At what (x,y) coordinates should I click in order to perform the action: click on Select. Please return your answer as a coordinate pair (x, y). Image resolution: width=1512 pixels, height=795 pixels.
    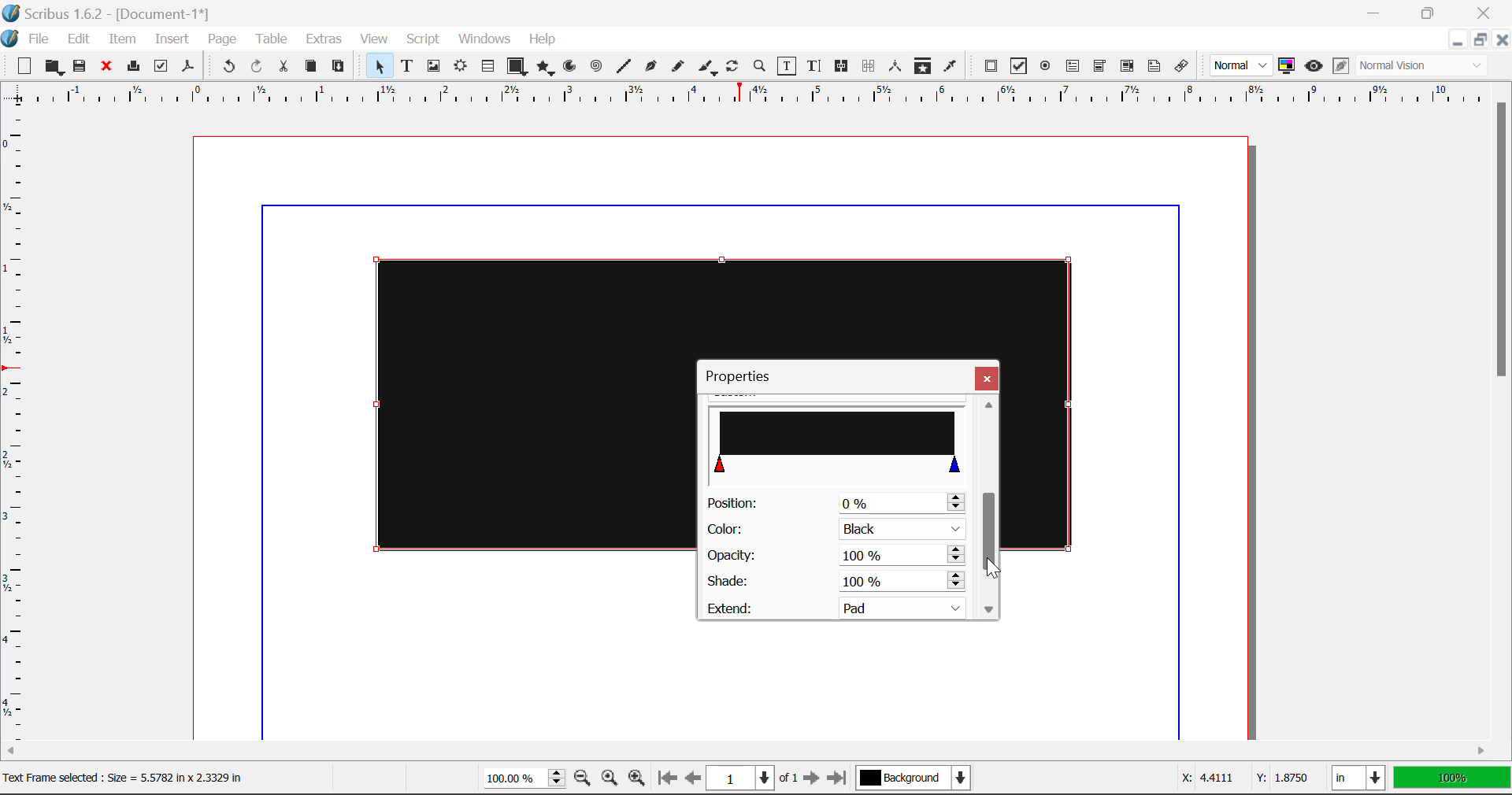
    Looking at the image, I should click on (378, 66).